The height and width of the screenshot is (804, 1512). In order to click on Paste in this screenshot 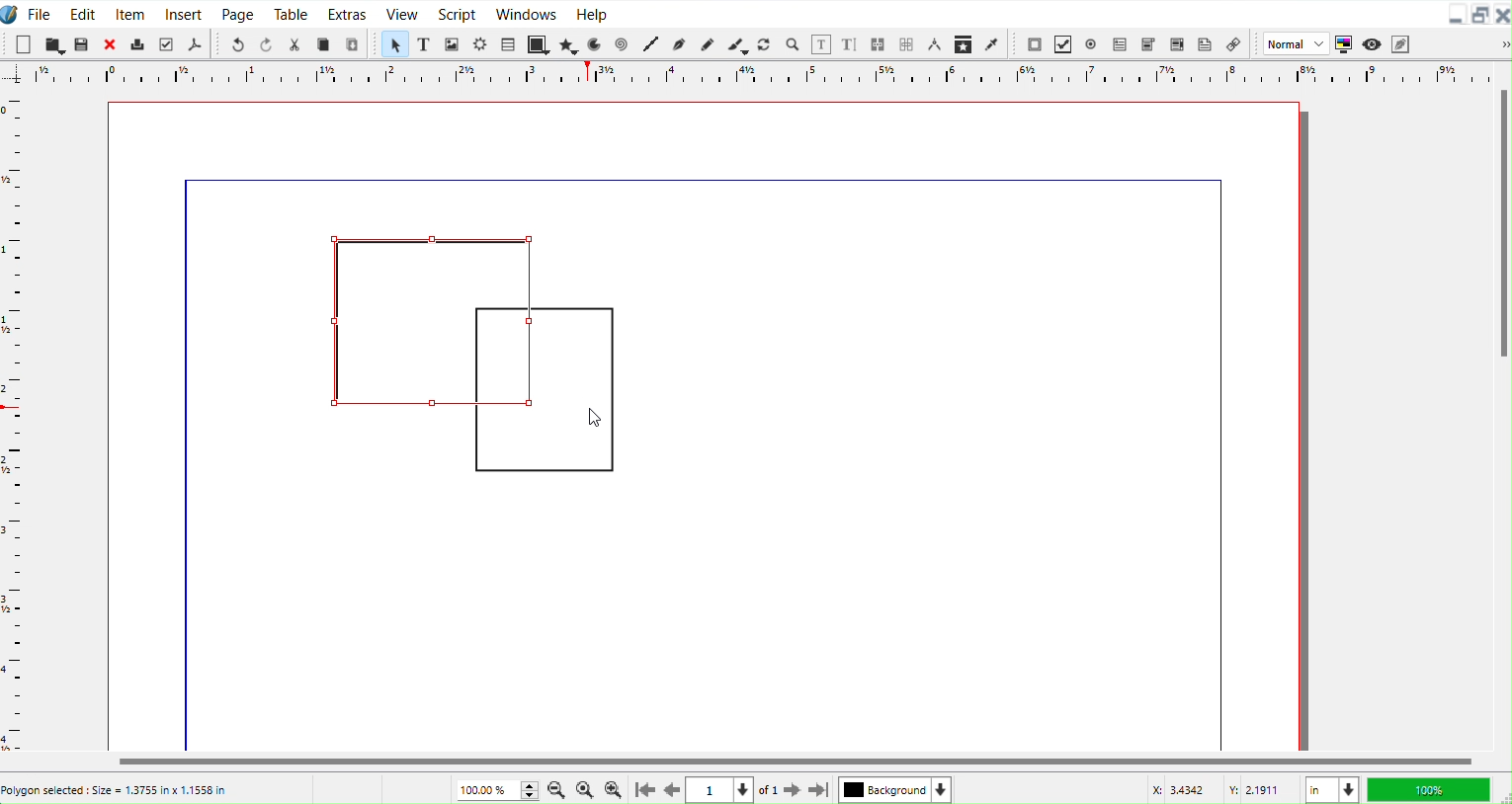, I will do `click(354, 43)`.